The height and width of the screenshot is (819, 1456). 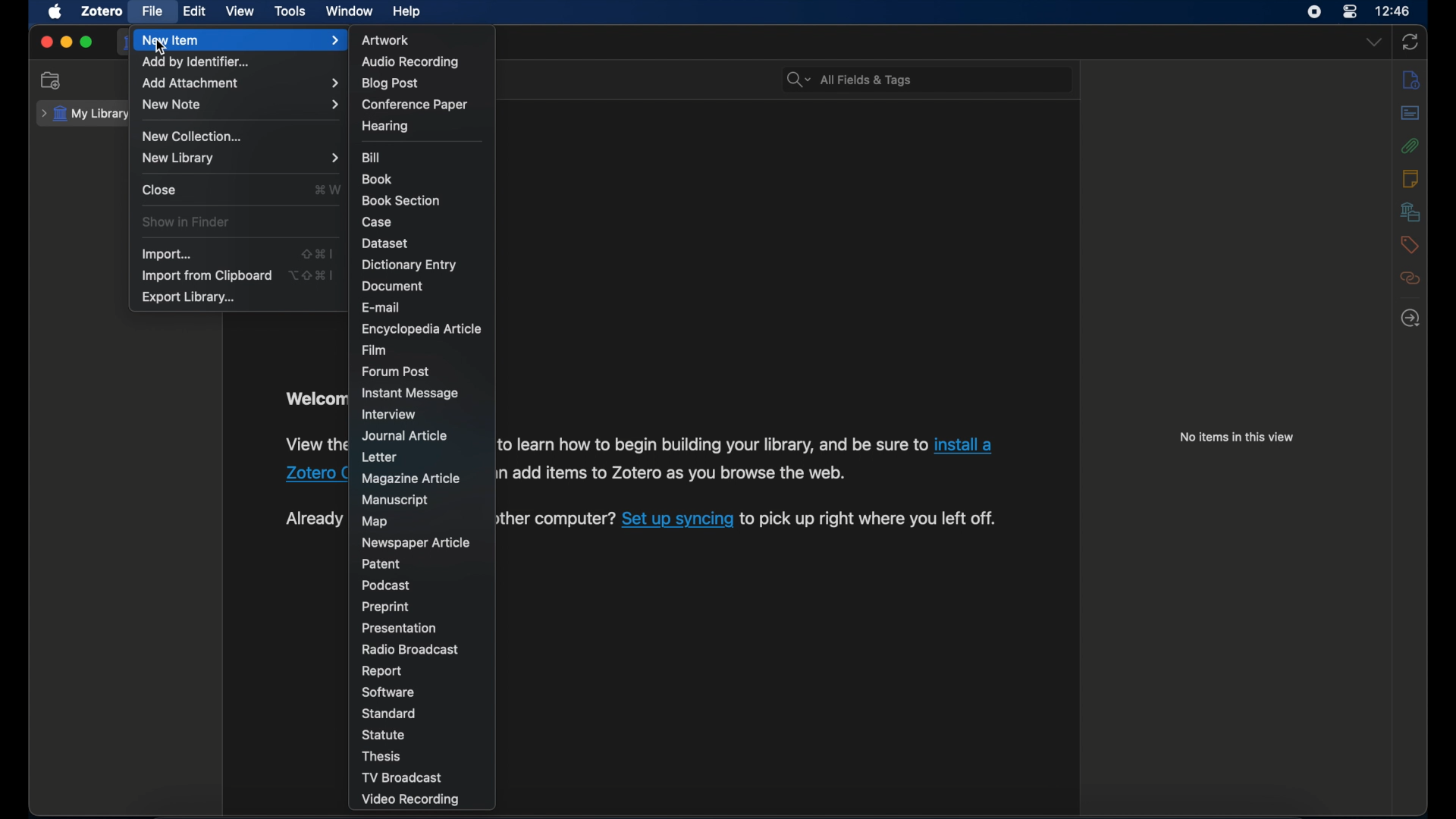 What do you see at coordinates (415, 105) in the screenshot?
I see `conference paper` at bounding box center [415, 105].